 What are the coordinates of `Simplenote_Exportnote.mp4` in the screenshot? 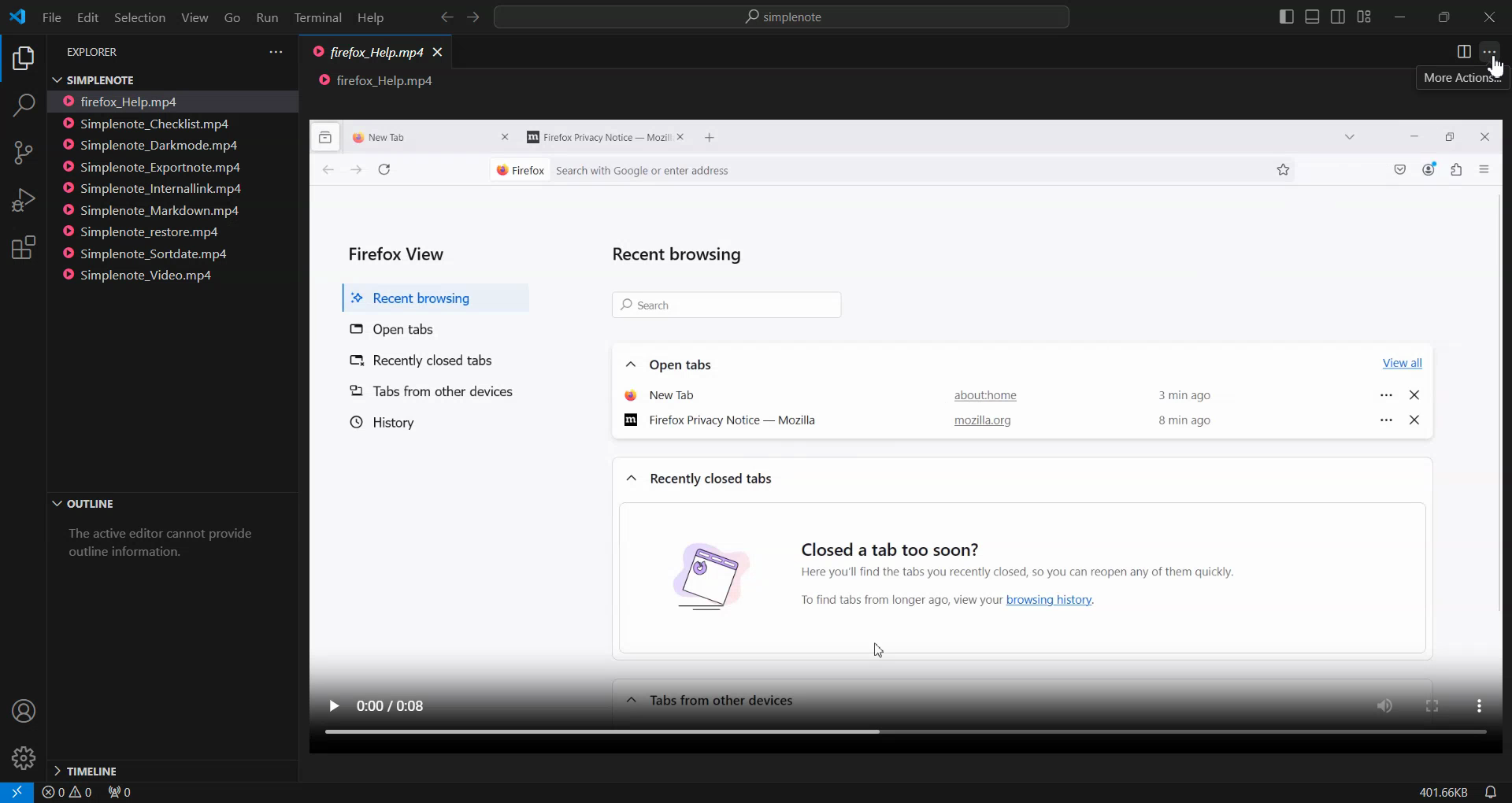 It's located at (154, 166).